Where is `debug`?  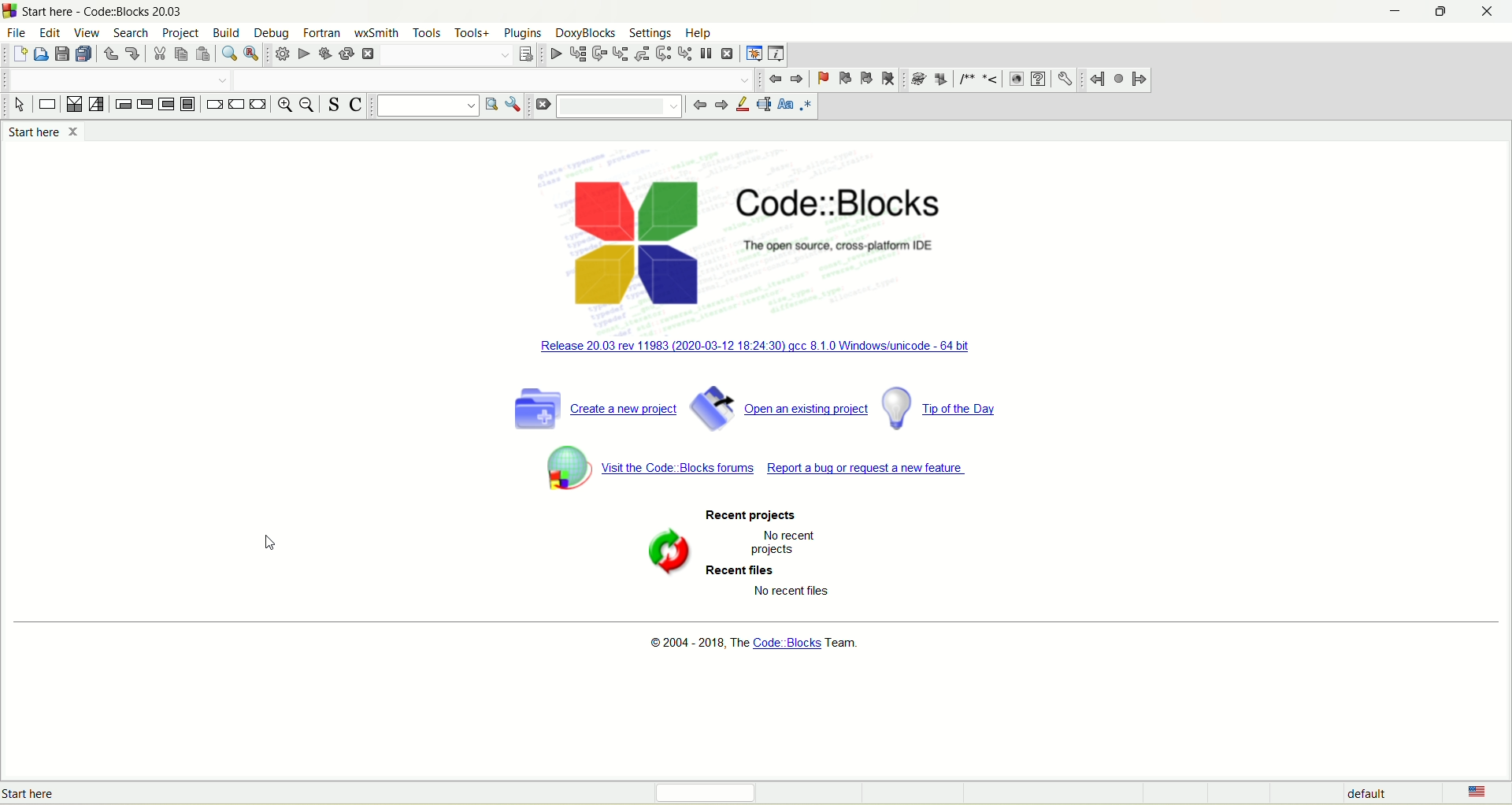
debug is located at coordinates (270, 34).